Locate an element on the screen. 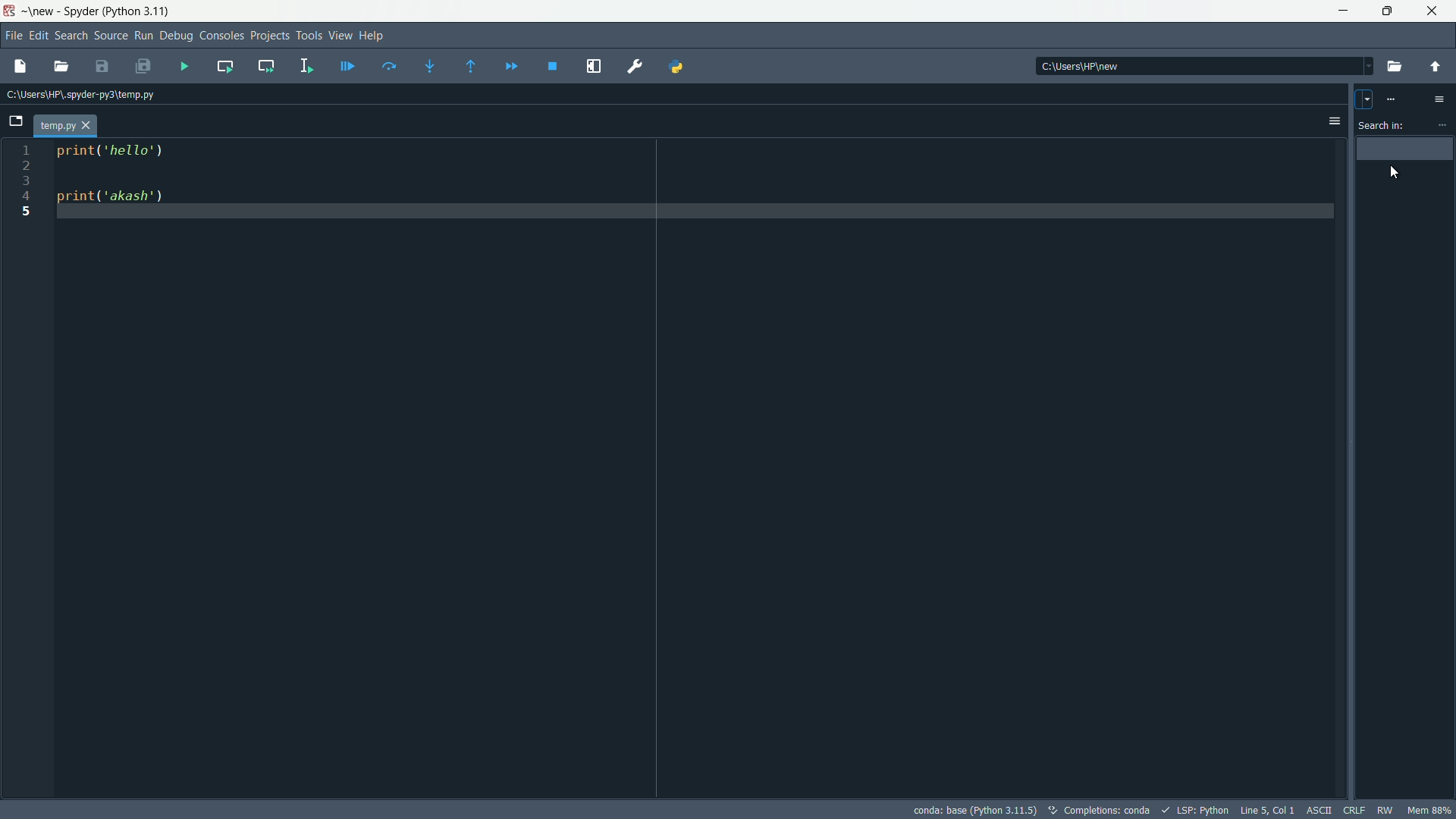  Tools Menu is located at coordinates (307, 35).